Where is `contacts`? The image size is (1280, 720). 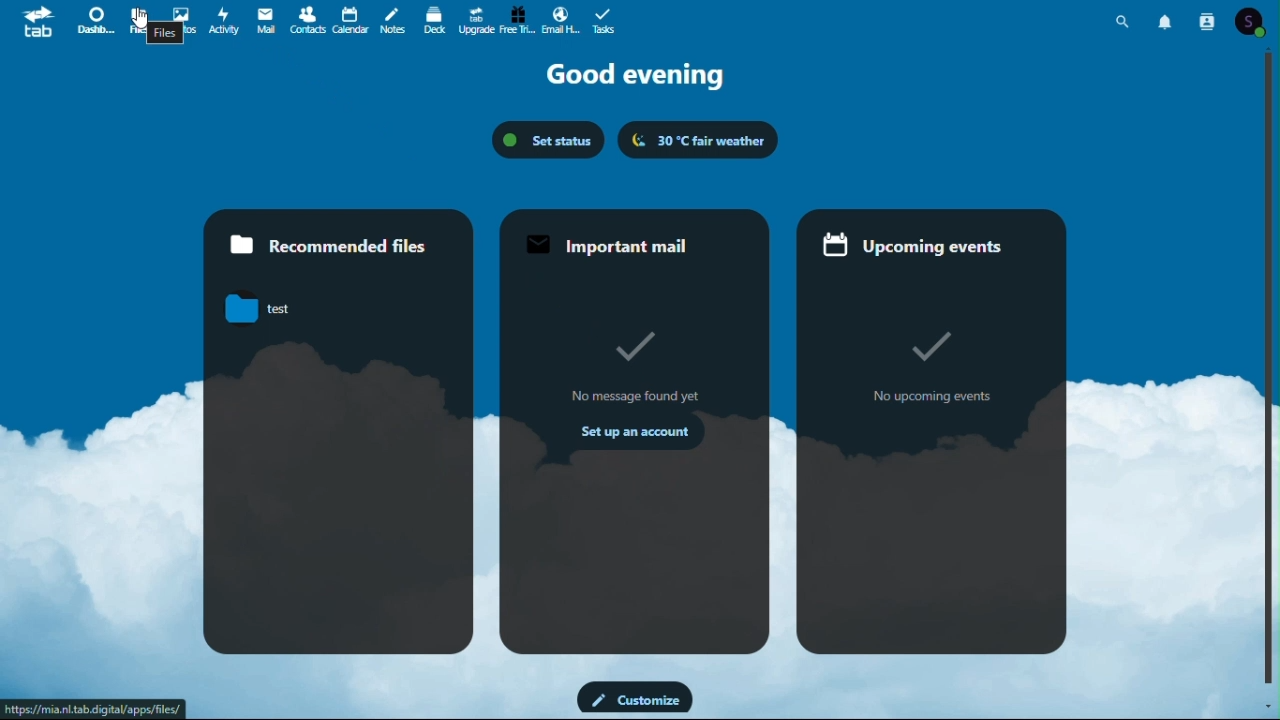
contacts is located at coordinates (1207, 20).